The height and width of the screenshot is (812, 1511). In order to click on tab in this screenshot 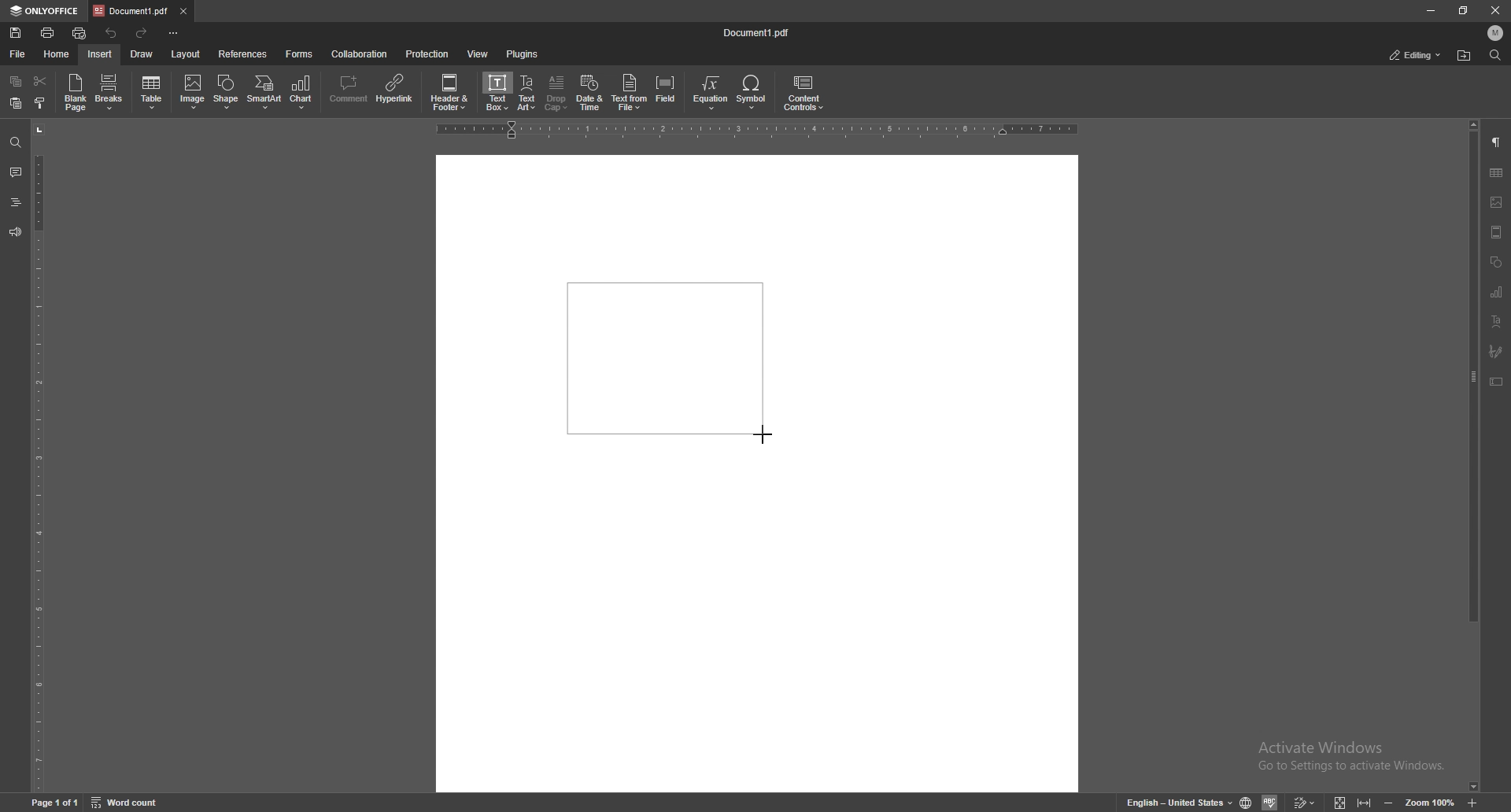, I will do `click(131, 11)`.